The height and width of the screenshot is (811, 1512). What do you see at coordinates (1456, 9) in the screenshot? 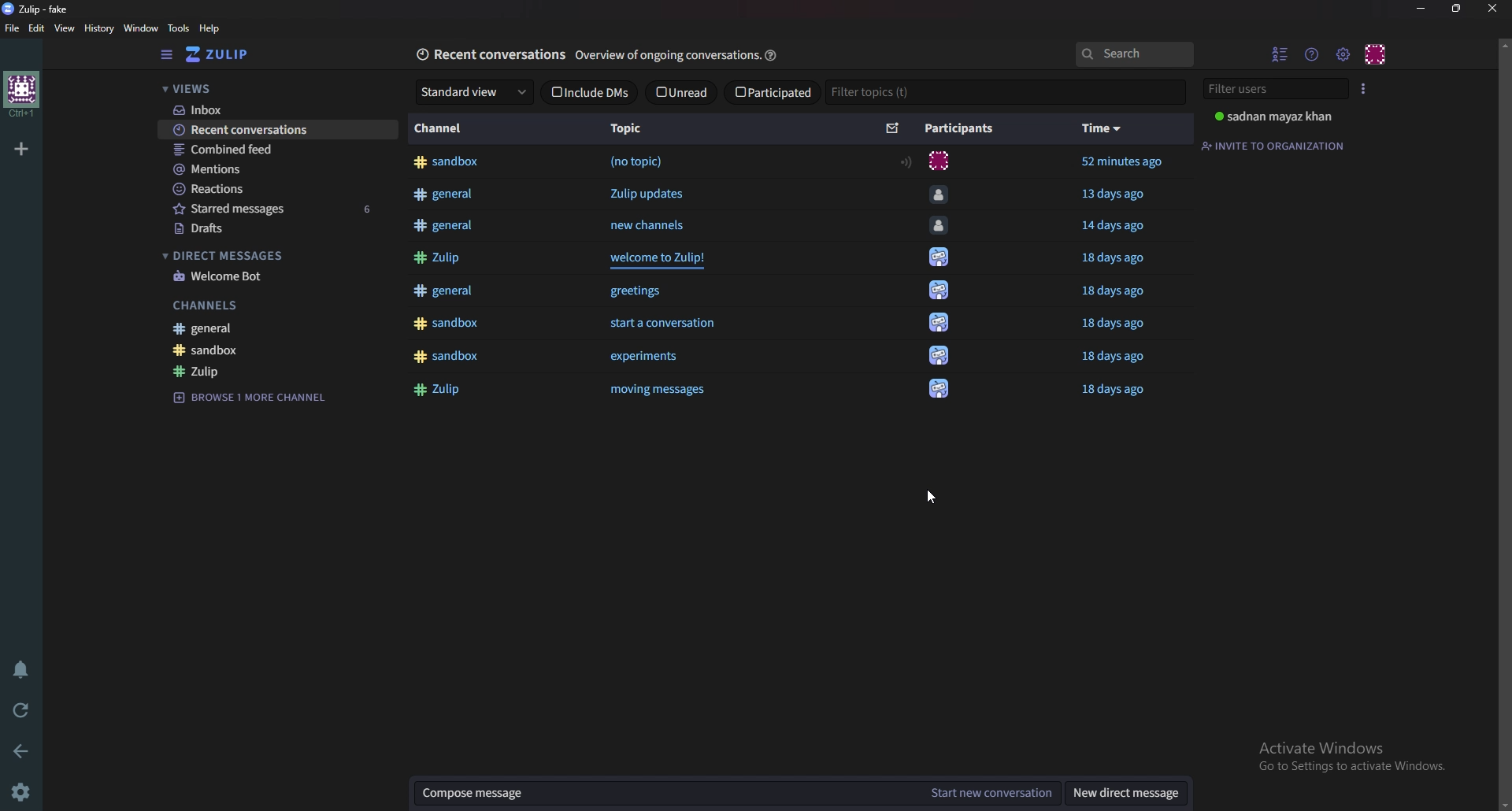
I see `Resize` at bounding box center [1456, 9].